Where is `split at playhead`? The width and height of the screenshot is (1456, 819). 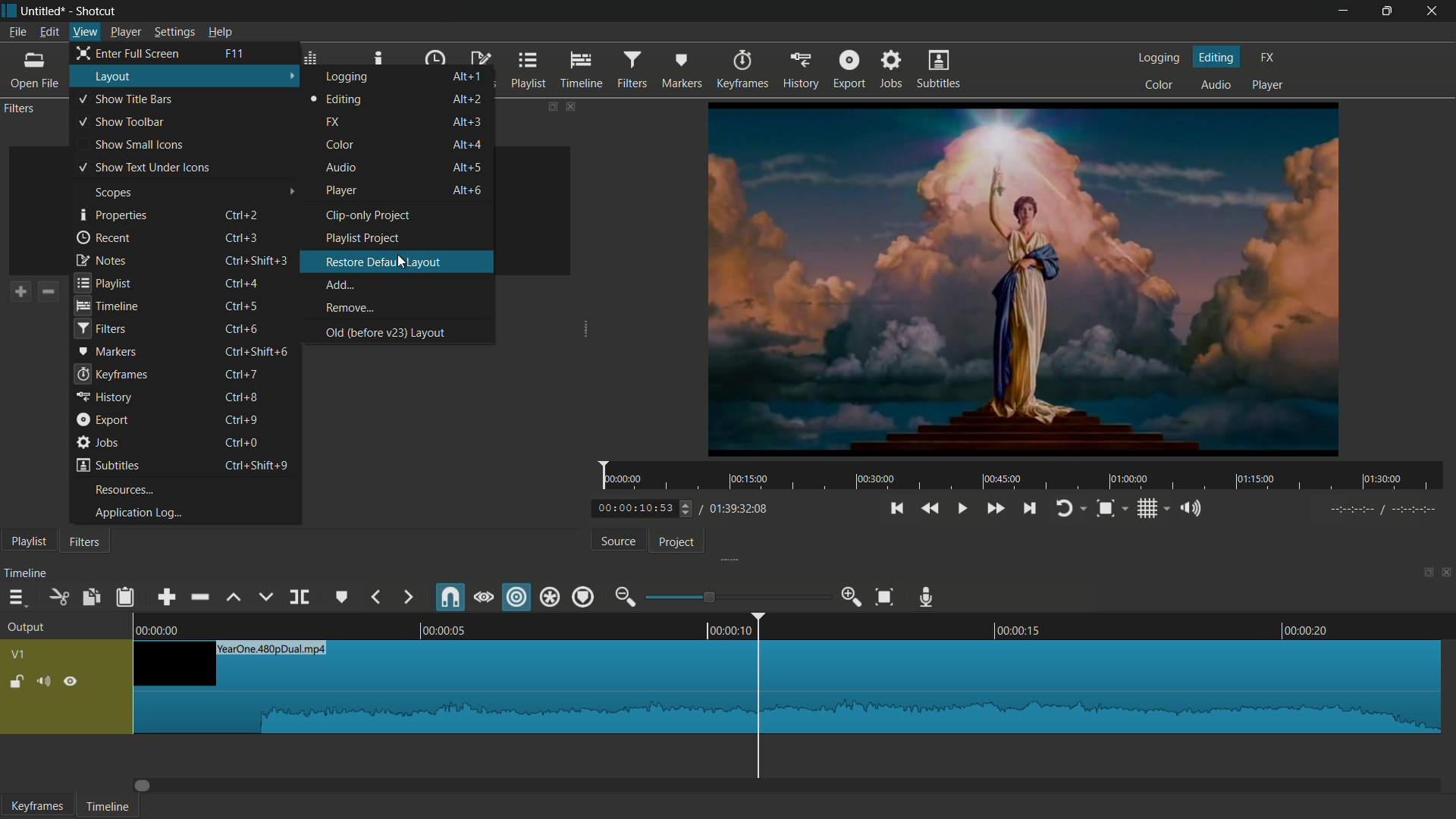 split at playhead is located at coordinates (299, 598).